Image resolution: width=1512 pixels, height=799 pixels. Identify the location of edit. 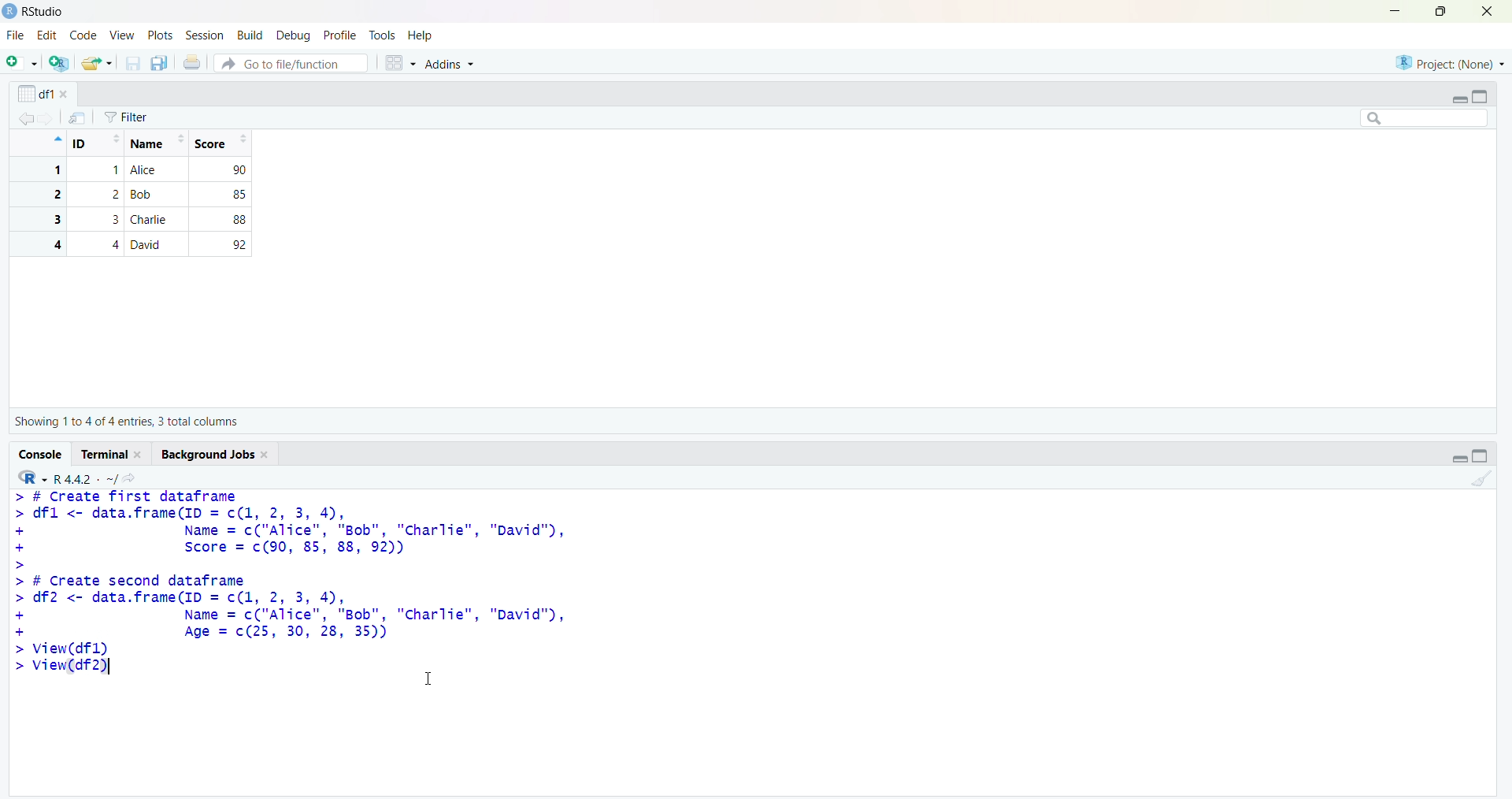
(47, 35).